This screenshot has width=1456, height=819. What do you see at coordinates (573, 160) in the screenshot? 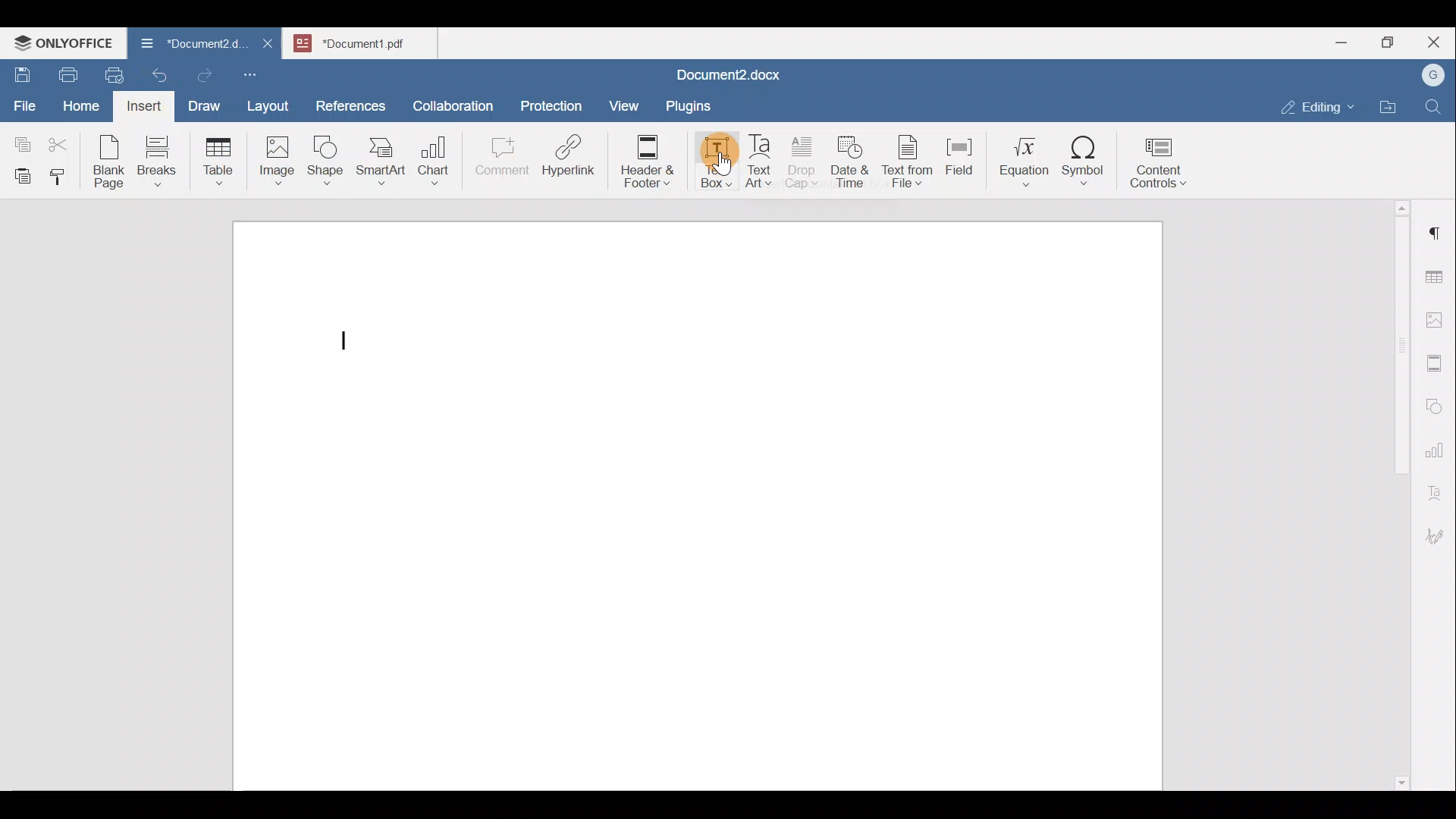
I see `Hyperlink` at bounding box center [573, 160].